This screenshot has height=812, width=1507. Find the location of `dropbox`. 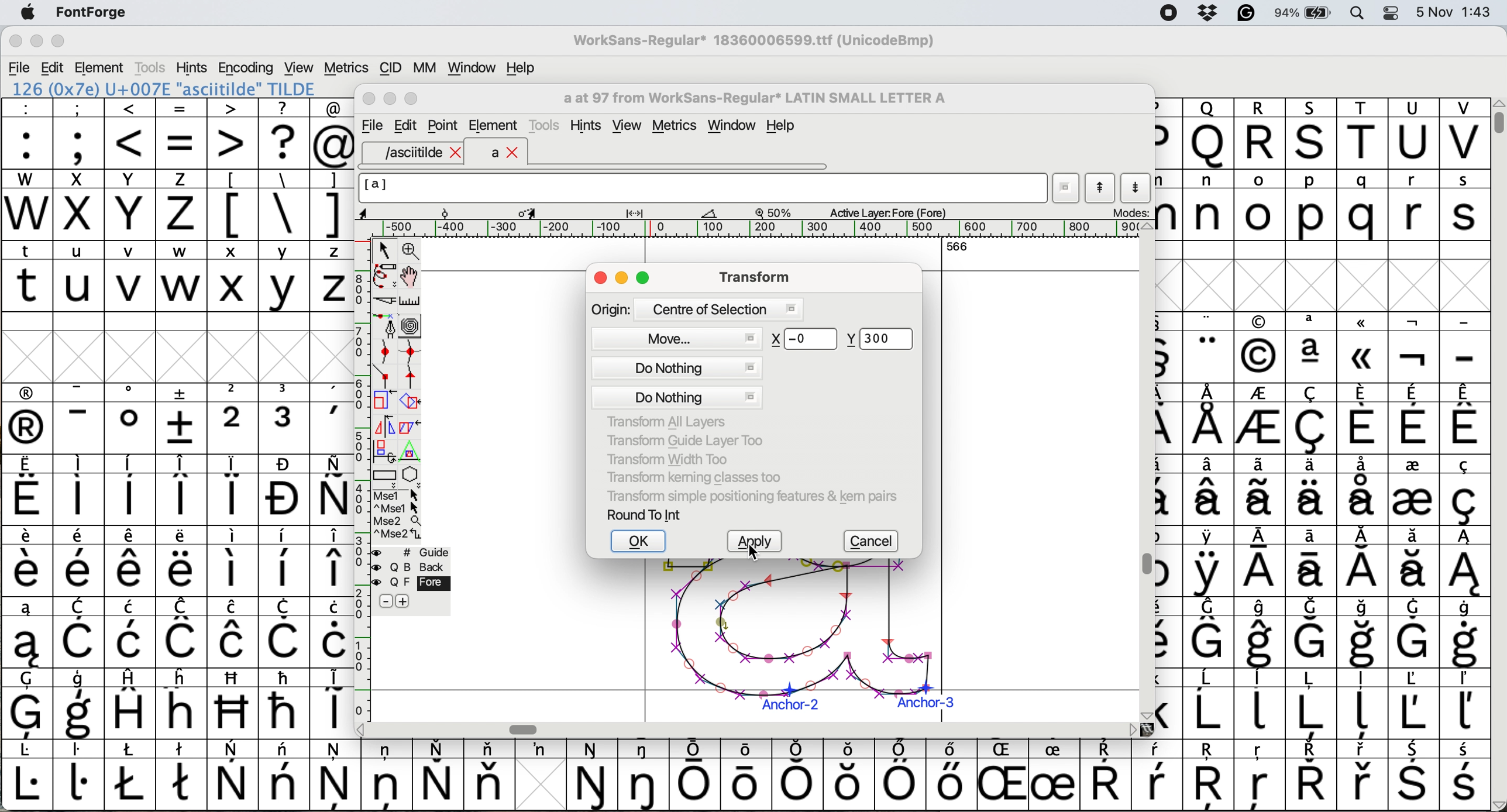

dropbox is located at coordinates (1204, 13).